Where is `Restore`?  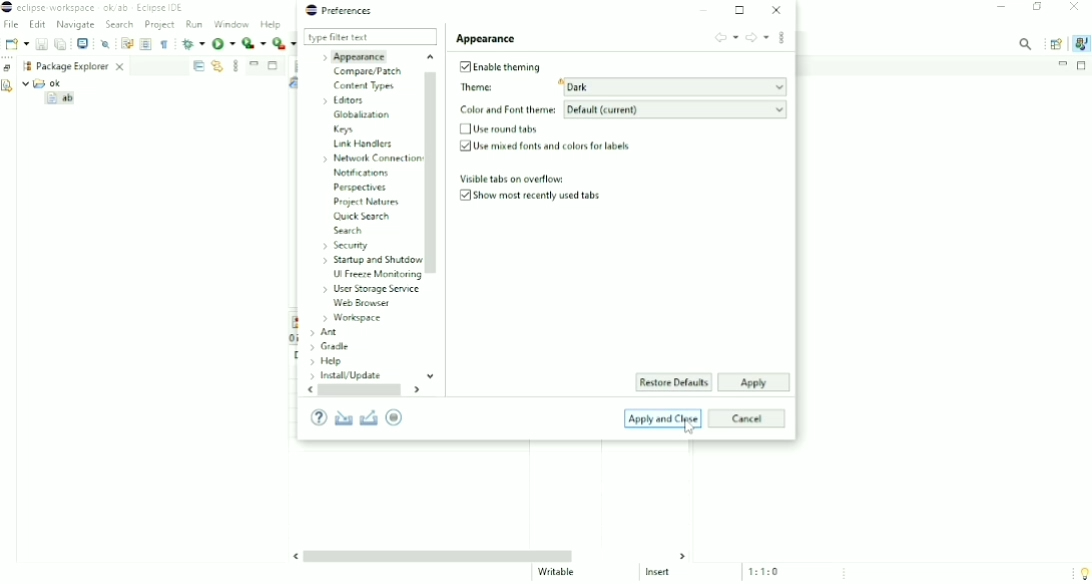 Restore is located at coordinates (8, 67).